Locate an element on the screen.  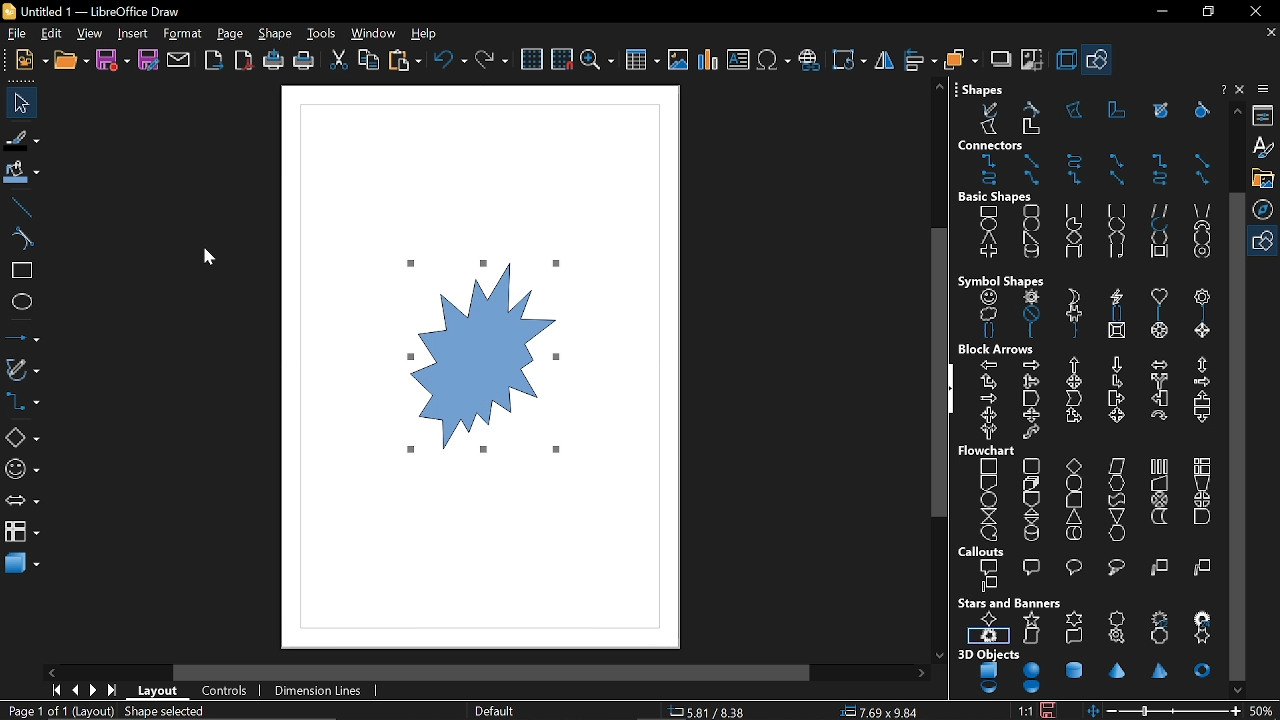
Navigator is located at coordinates (1266, 209).